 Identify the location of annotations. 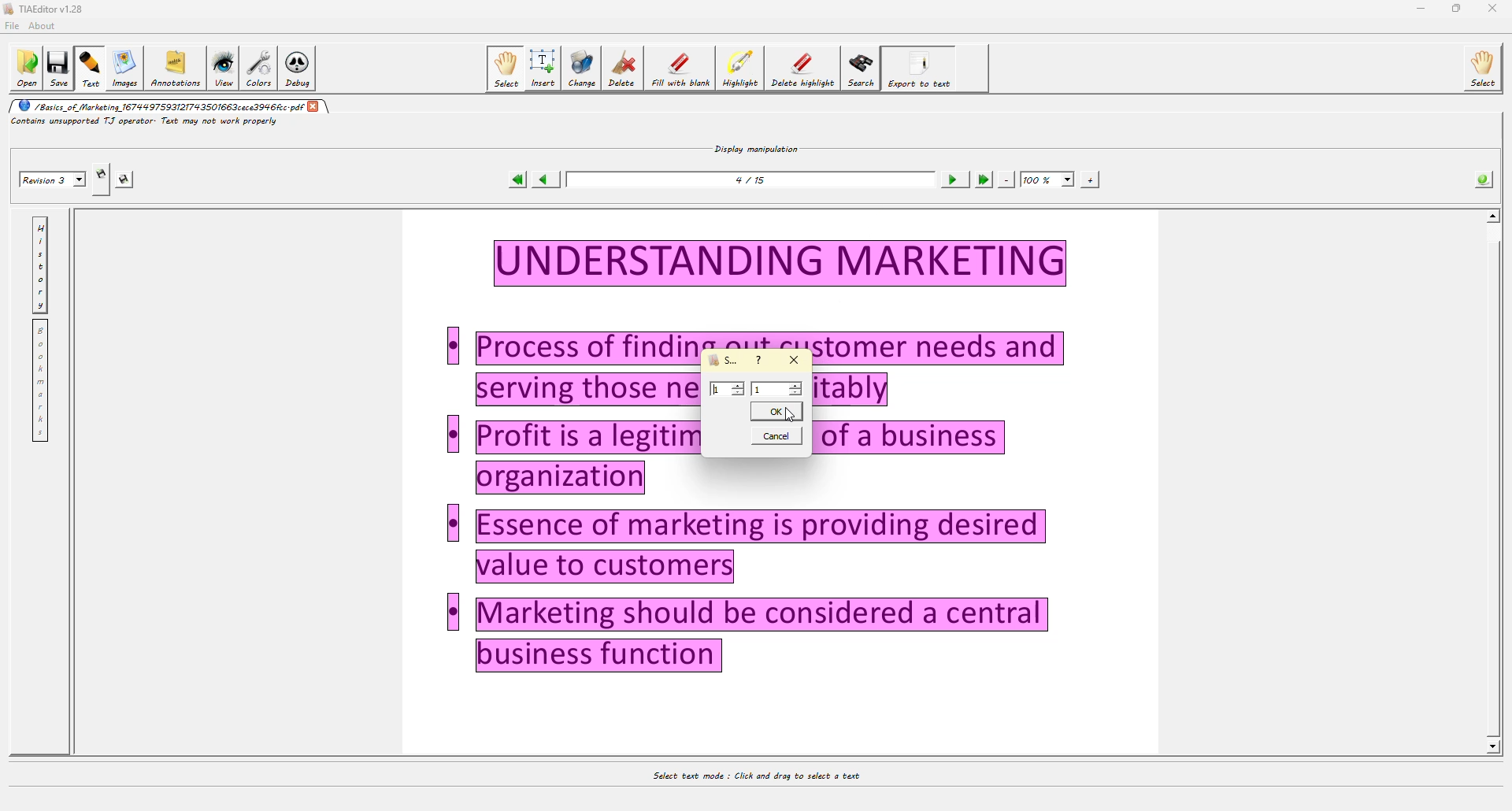
(176, 70).